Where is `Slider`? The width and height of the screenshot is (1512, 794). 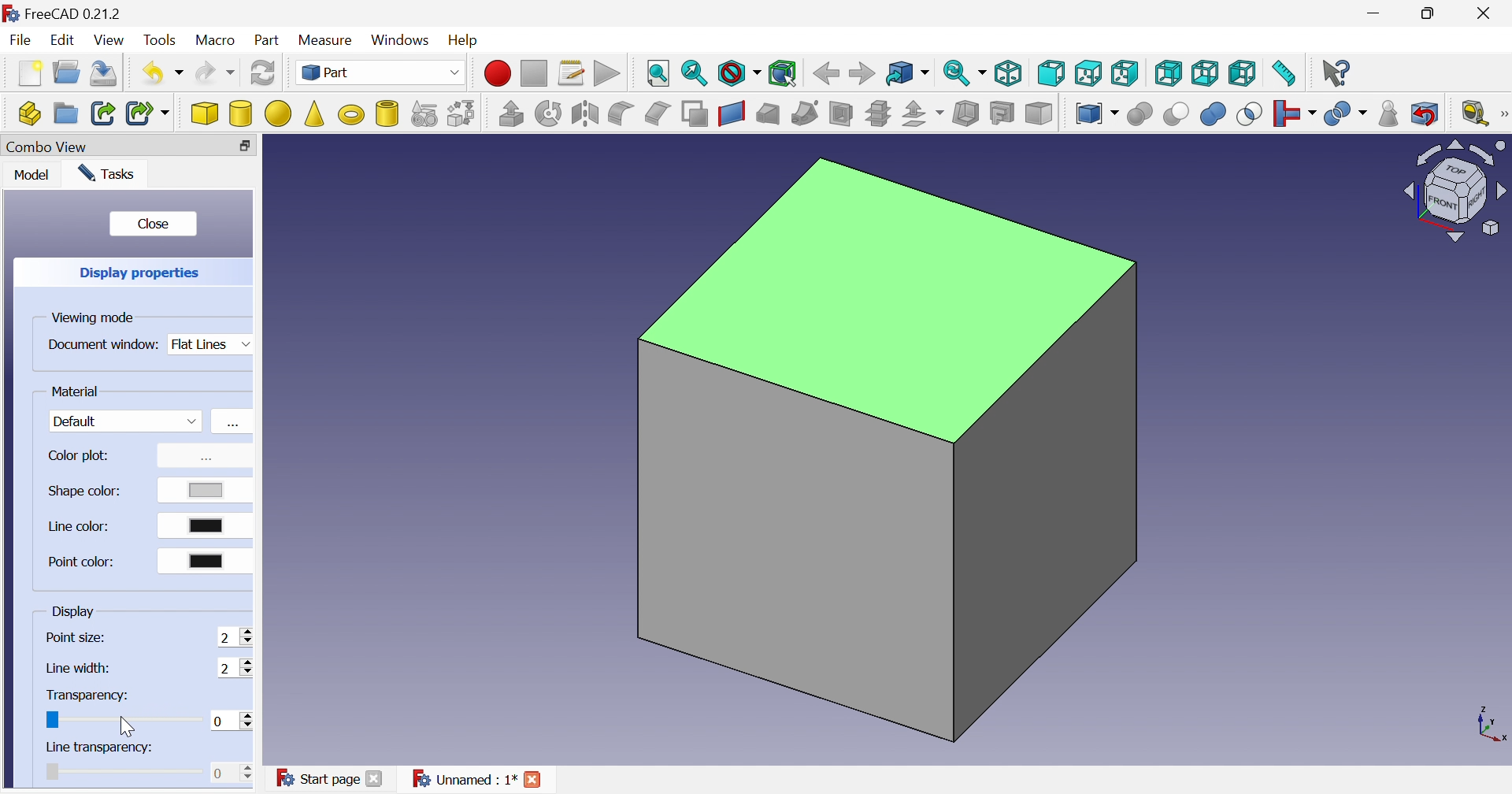 Slider is located at coordinates (53, 722).